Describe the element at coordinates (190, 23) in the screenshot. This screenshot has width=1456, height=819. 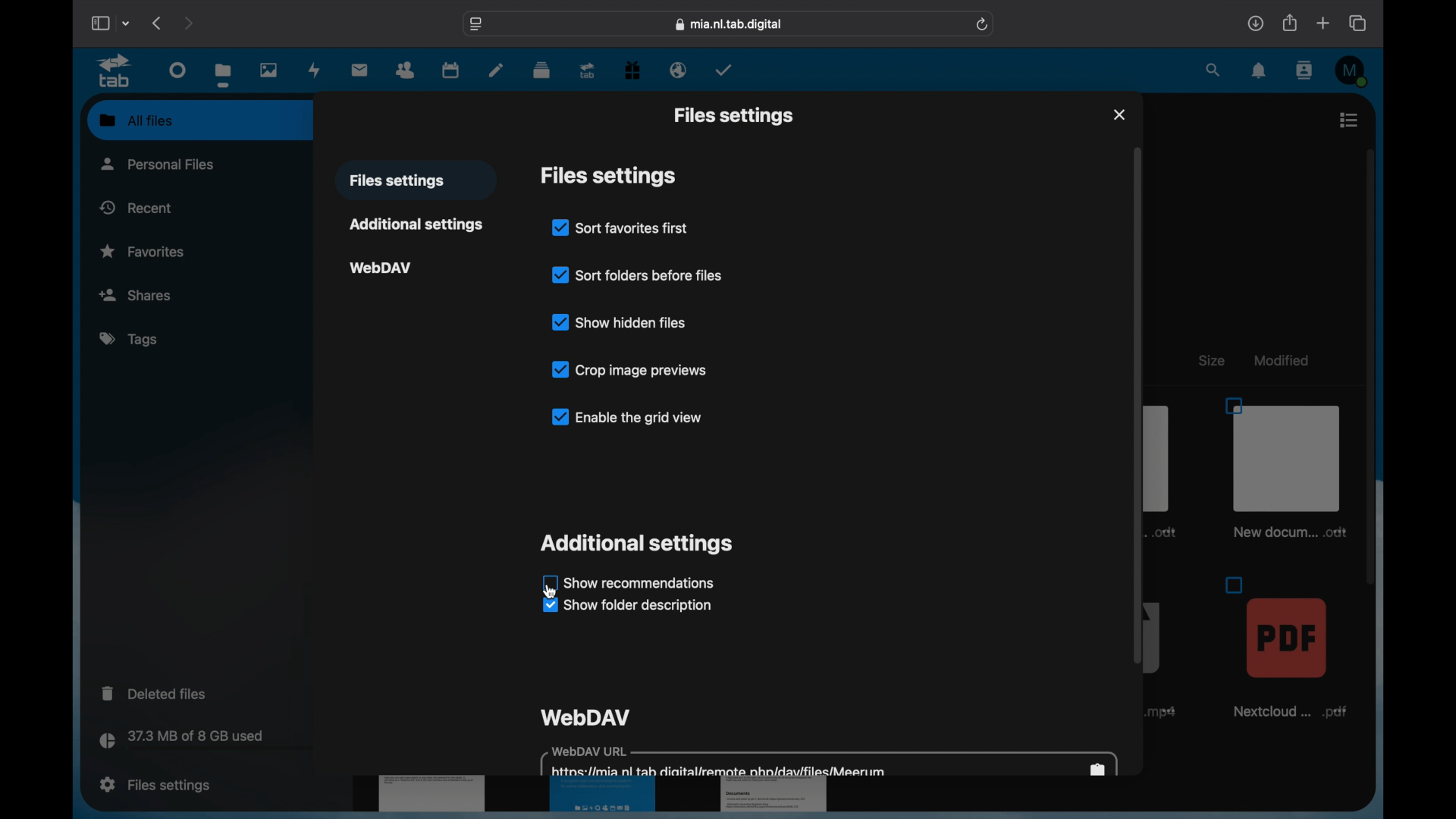
I see `next` at that location.